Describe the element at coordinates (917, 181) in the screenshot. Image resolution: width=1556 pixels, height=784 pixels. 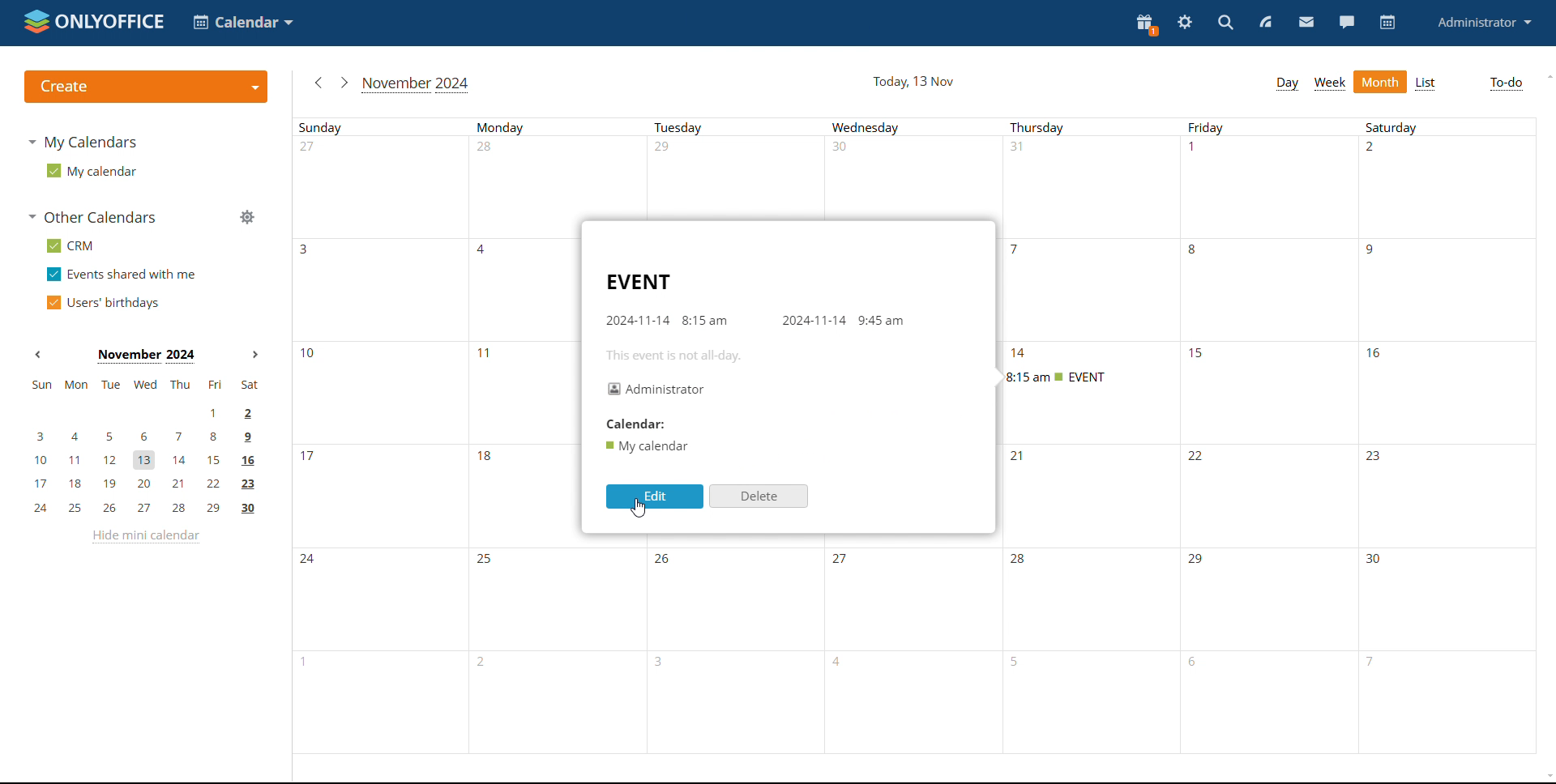
I see `unallocated time slots` at that location.